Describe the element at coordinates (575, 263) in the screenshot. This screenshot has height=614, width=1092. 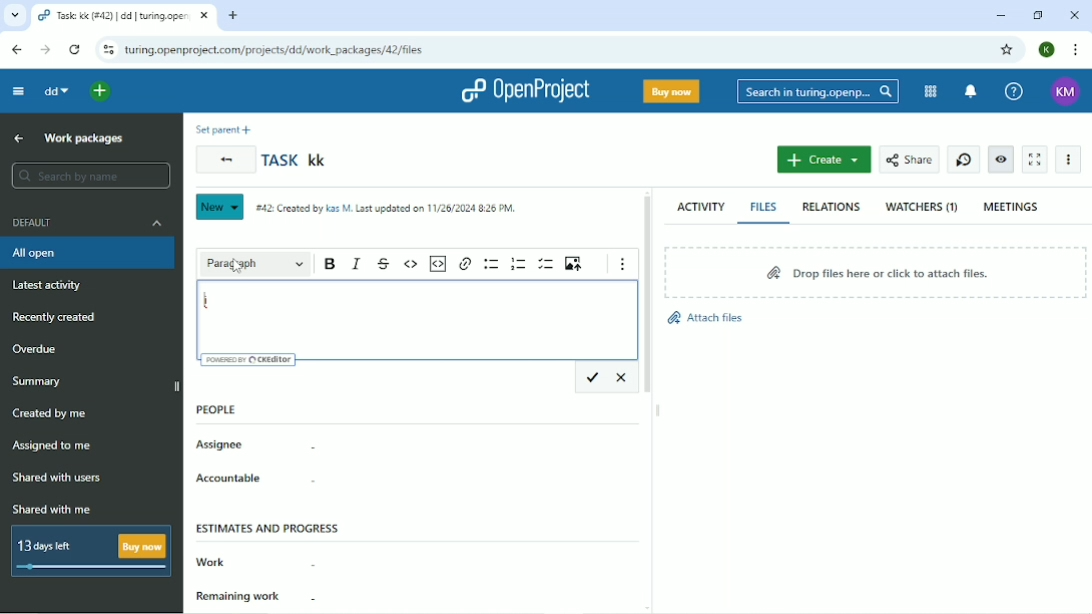
I see `Upload image from computer` at that location.